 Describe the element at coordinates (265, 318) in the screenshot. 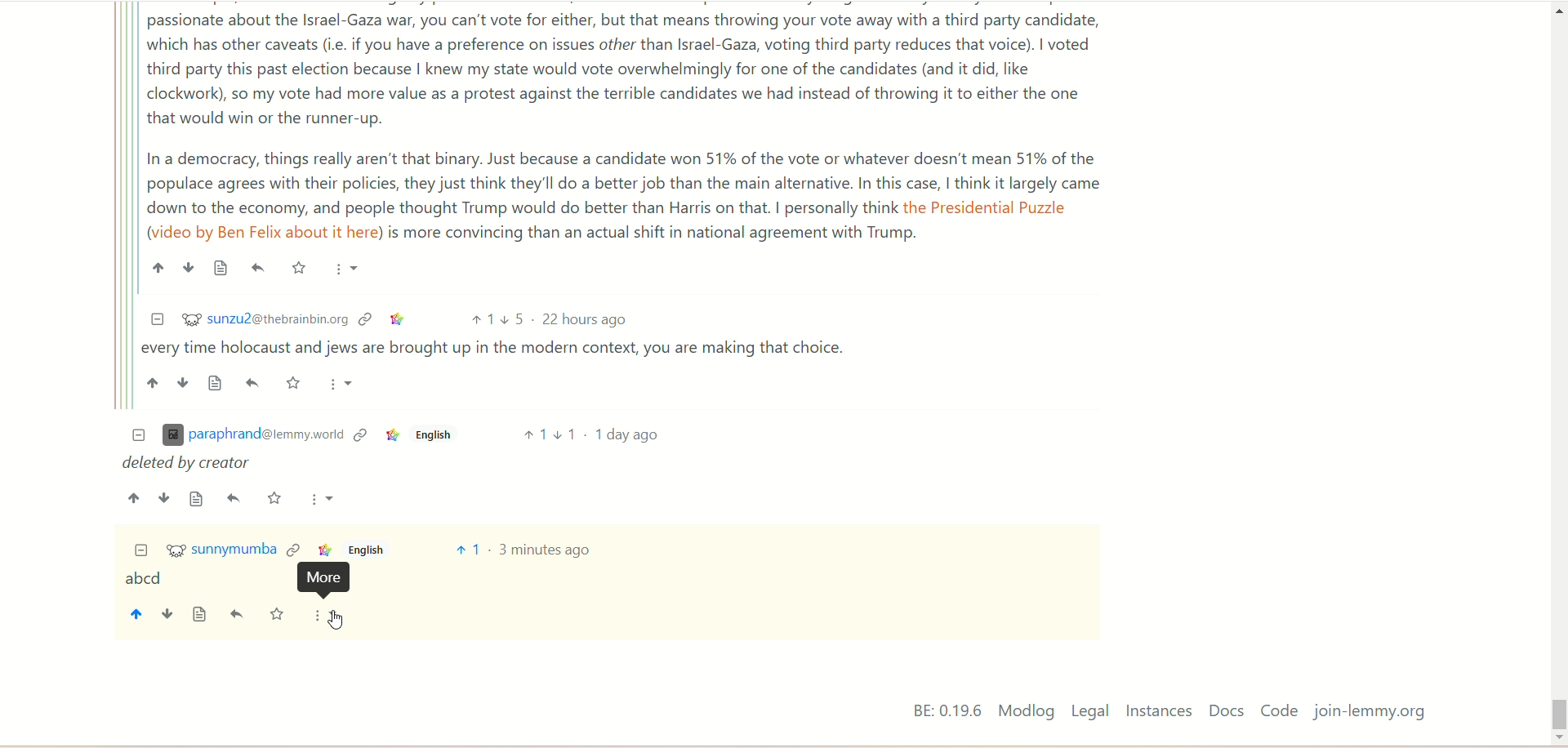

I see `$2 sunzu2@thebrainbin.org` at that location.